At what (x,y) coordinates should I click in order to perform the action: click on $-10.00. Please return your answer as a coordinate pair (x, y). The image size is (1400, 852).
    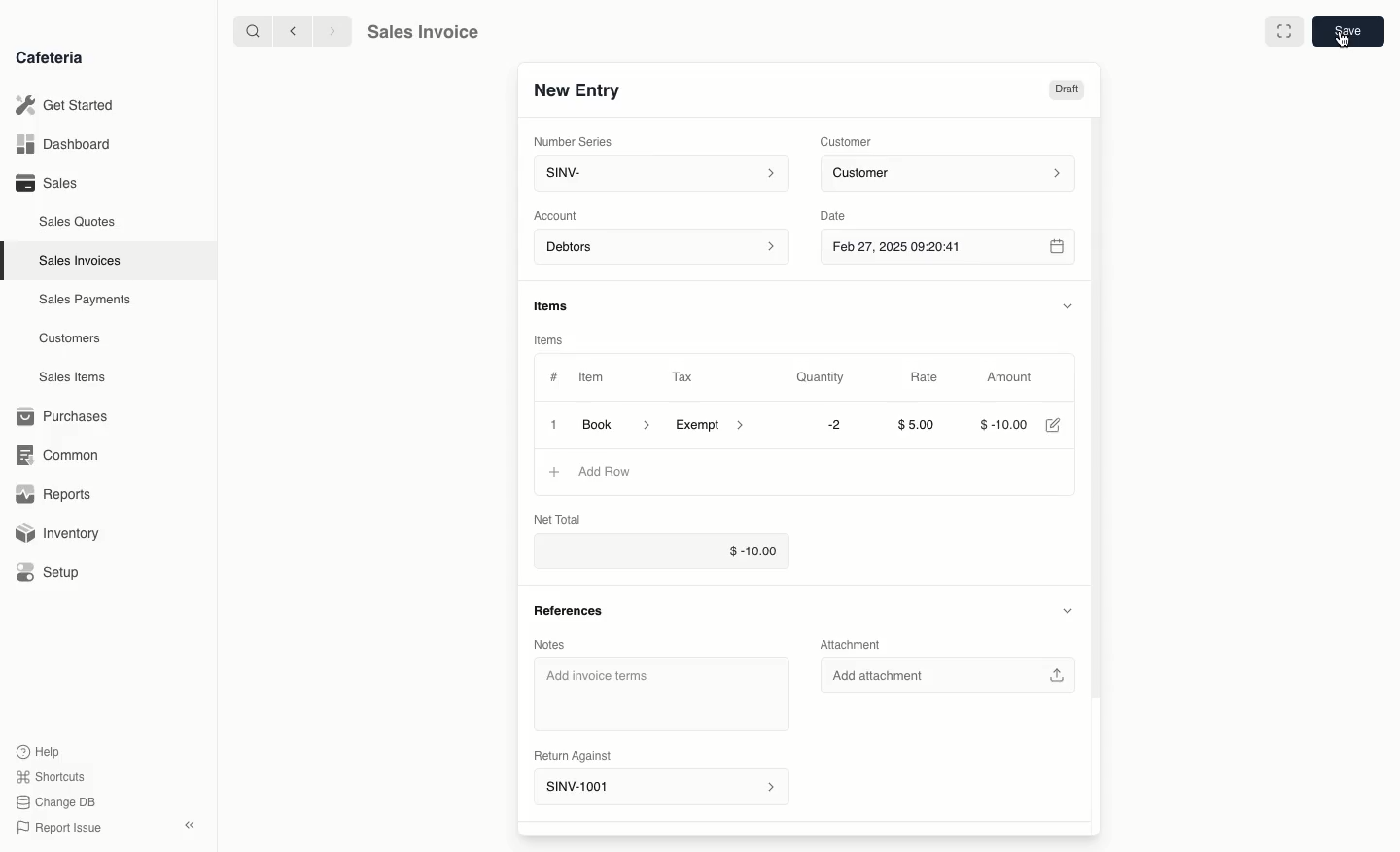
    Looking at the image, I should click on (663, 550).